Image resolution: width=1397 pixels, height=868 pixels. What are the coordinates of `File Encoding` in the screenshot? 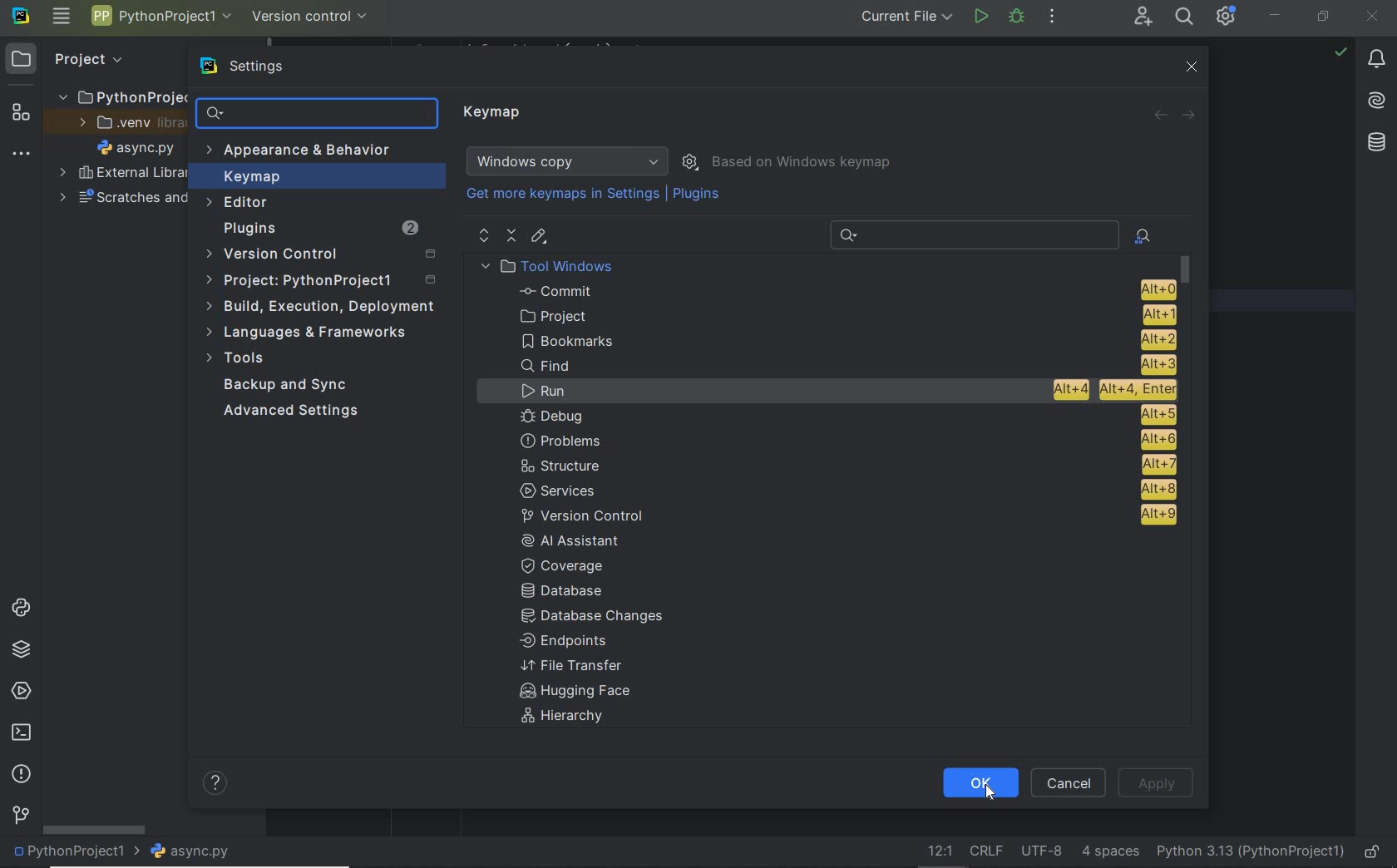 It's located at (1043, 852).